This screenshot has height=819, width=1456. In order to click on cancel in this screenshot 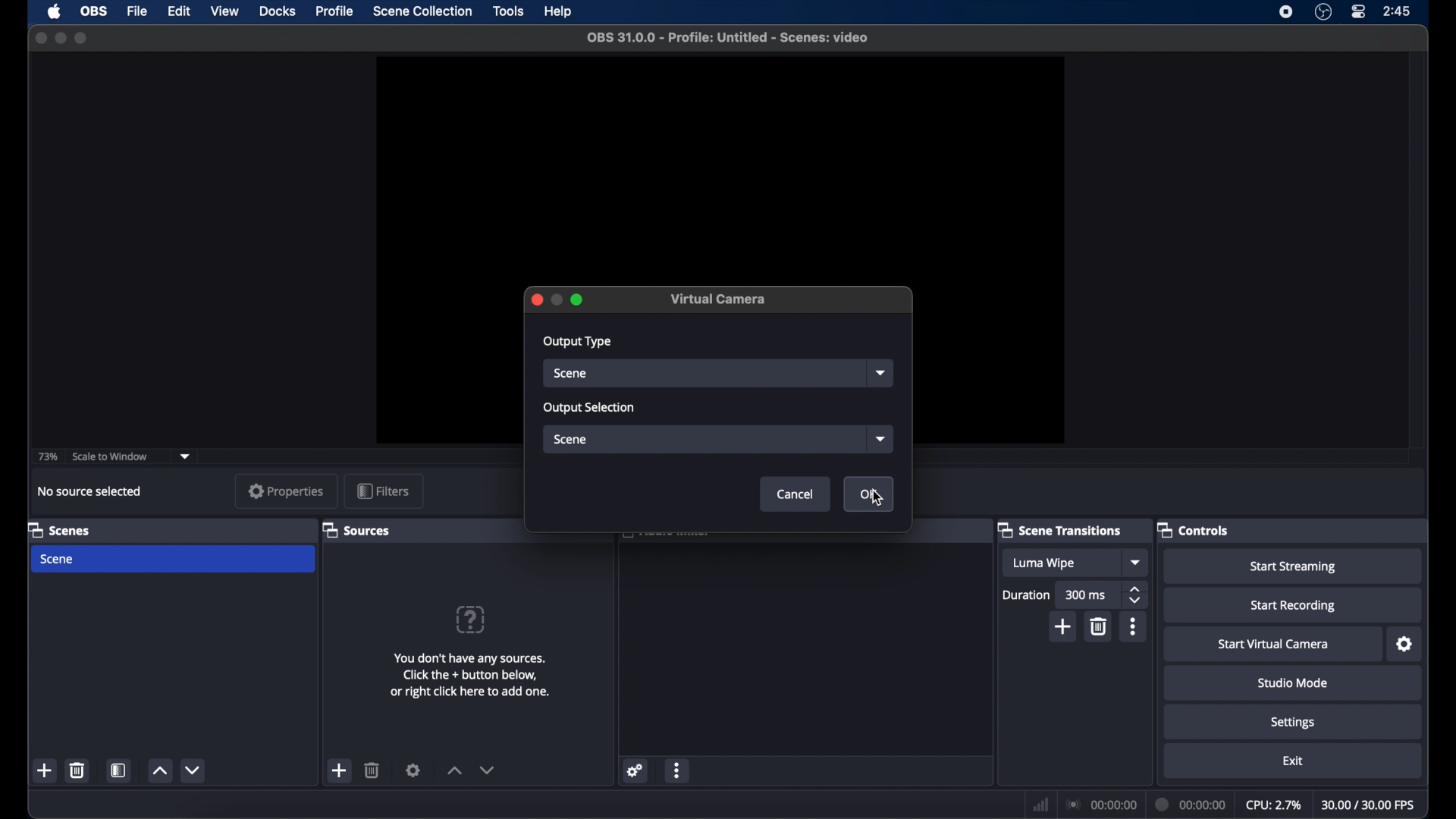, I will do `click(795, 494)`.